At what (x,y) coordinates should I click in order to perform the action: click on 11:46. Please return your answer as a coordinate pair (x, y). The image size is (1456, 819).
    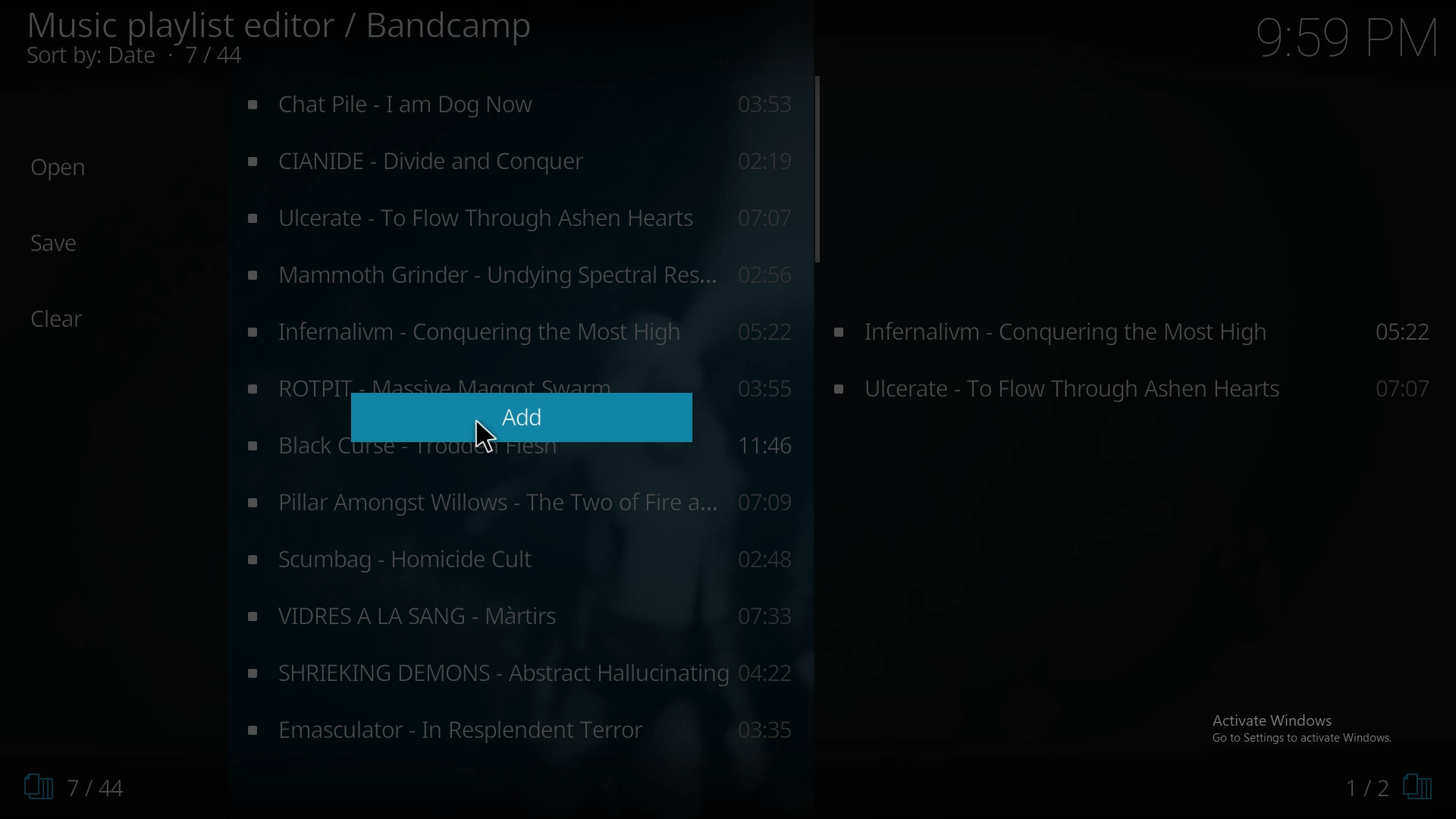
    Looking at the image, I should click on (769, 446).